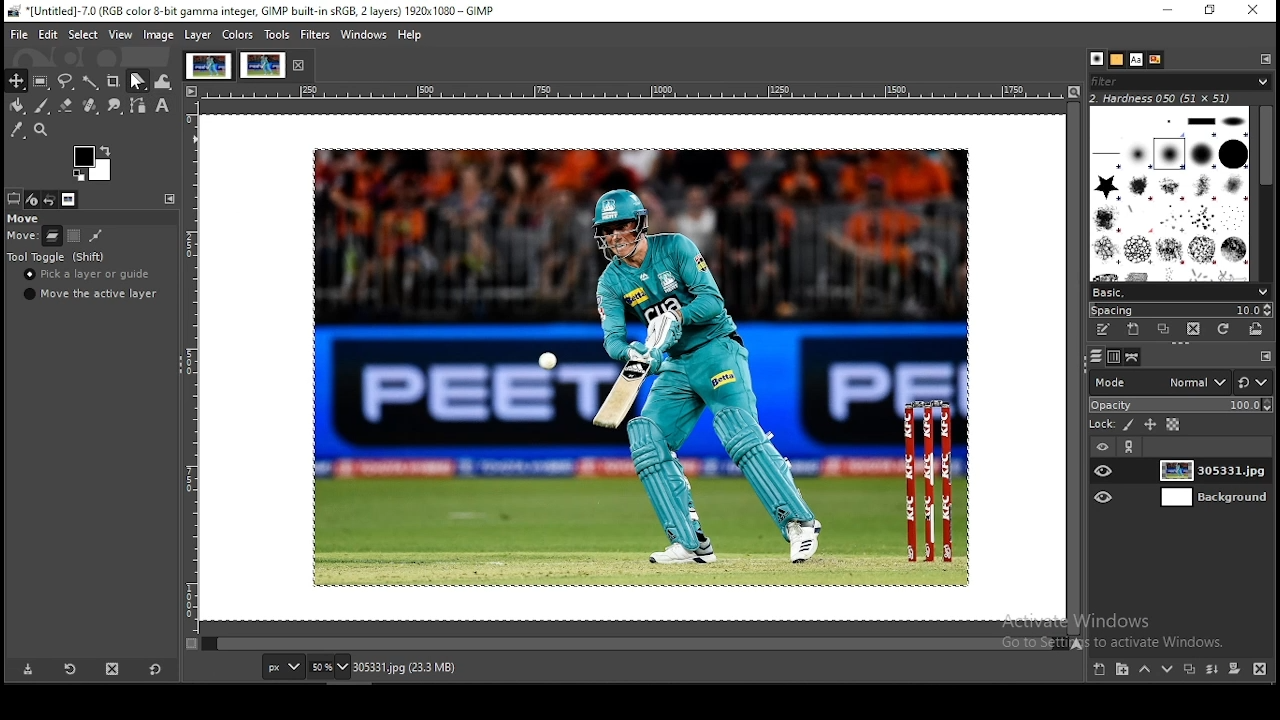  I want to click on vertical scale, so click(192, 374).